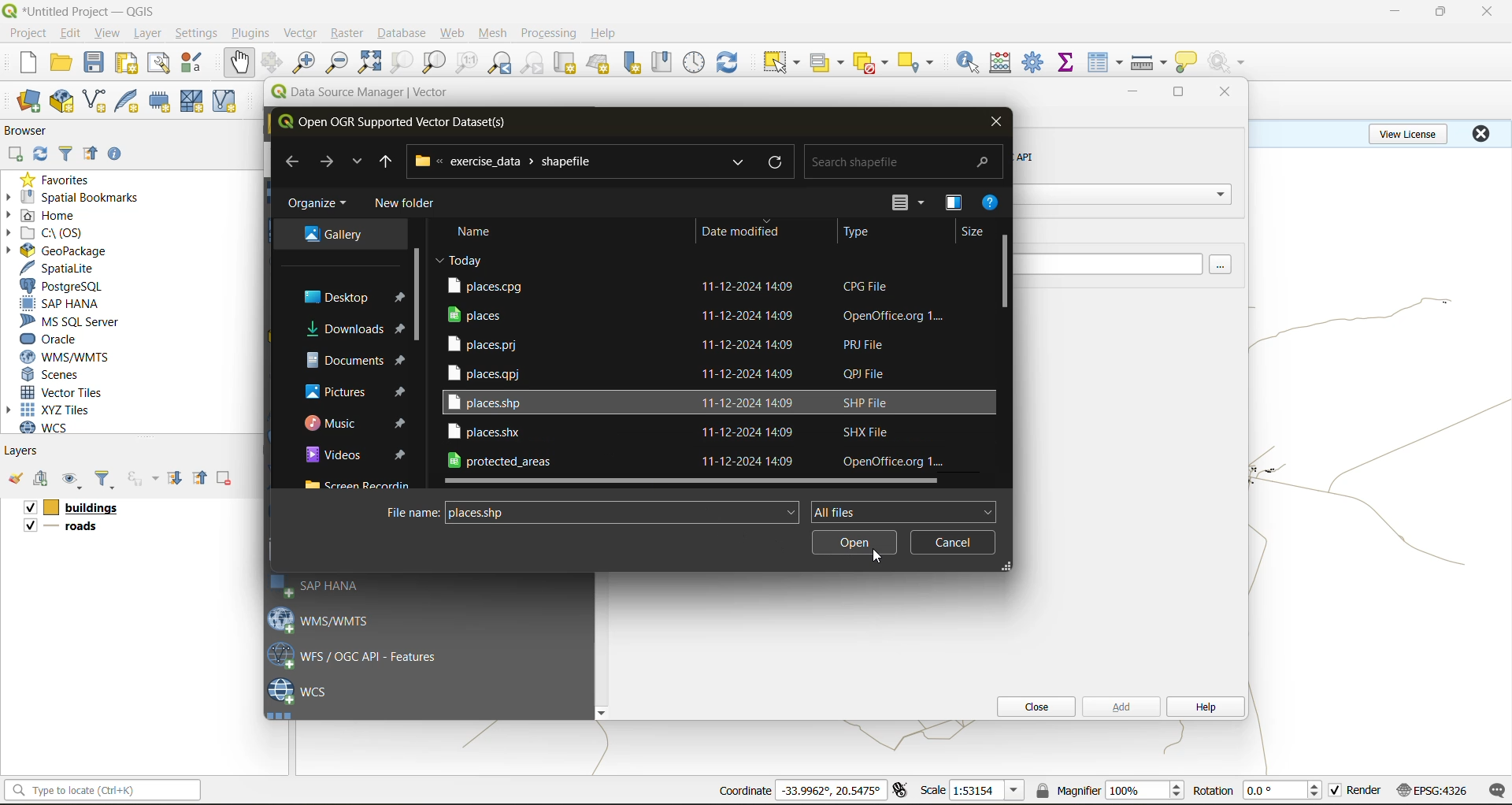  What do you see at coordinates (1069, 63) in the screenshot?
I see `statistical summary` at bounding box center [1069, 63].